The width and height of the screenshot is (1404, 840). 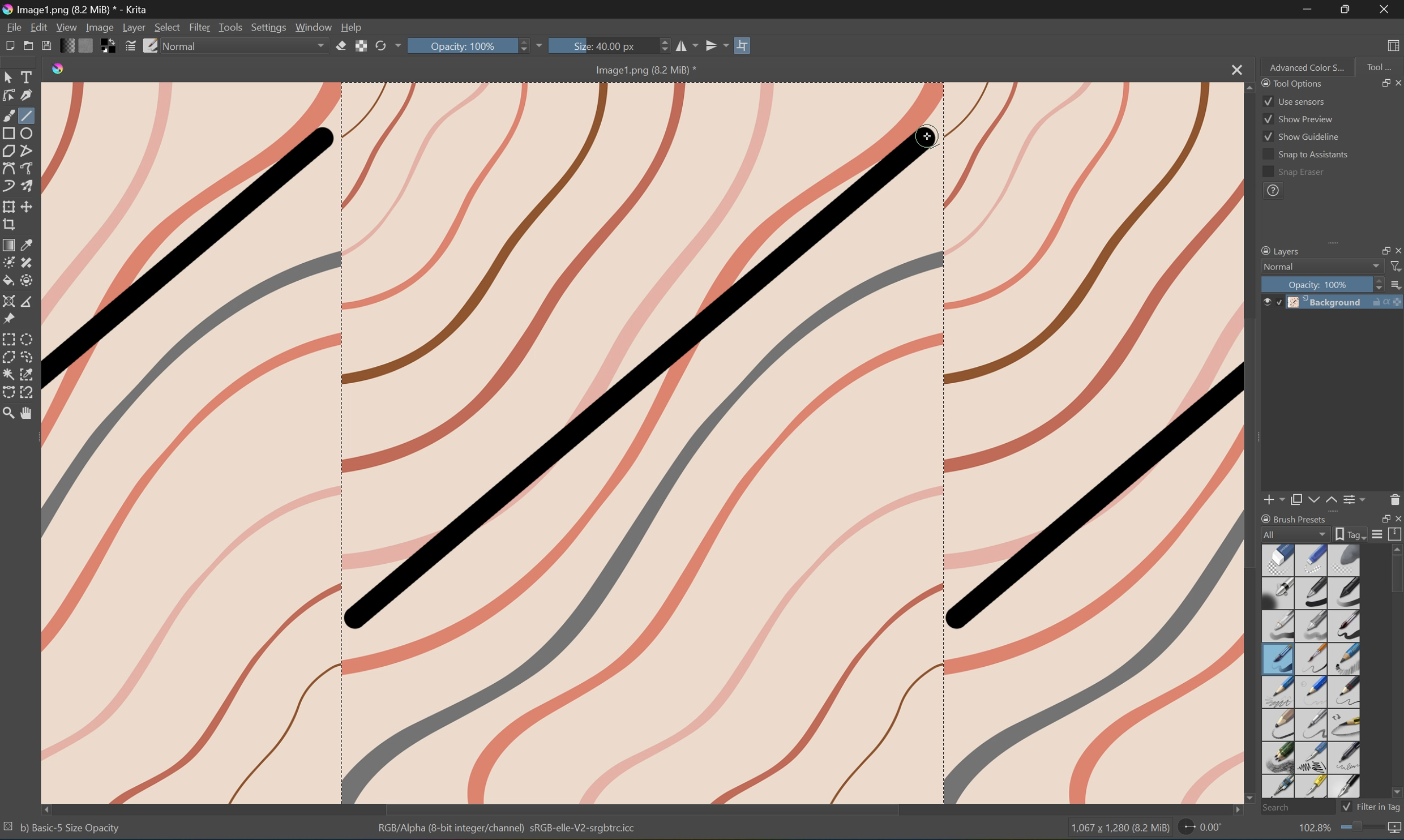 I want to click on Bezier curve selection tool, so click(x=11, y=390).